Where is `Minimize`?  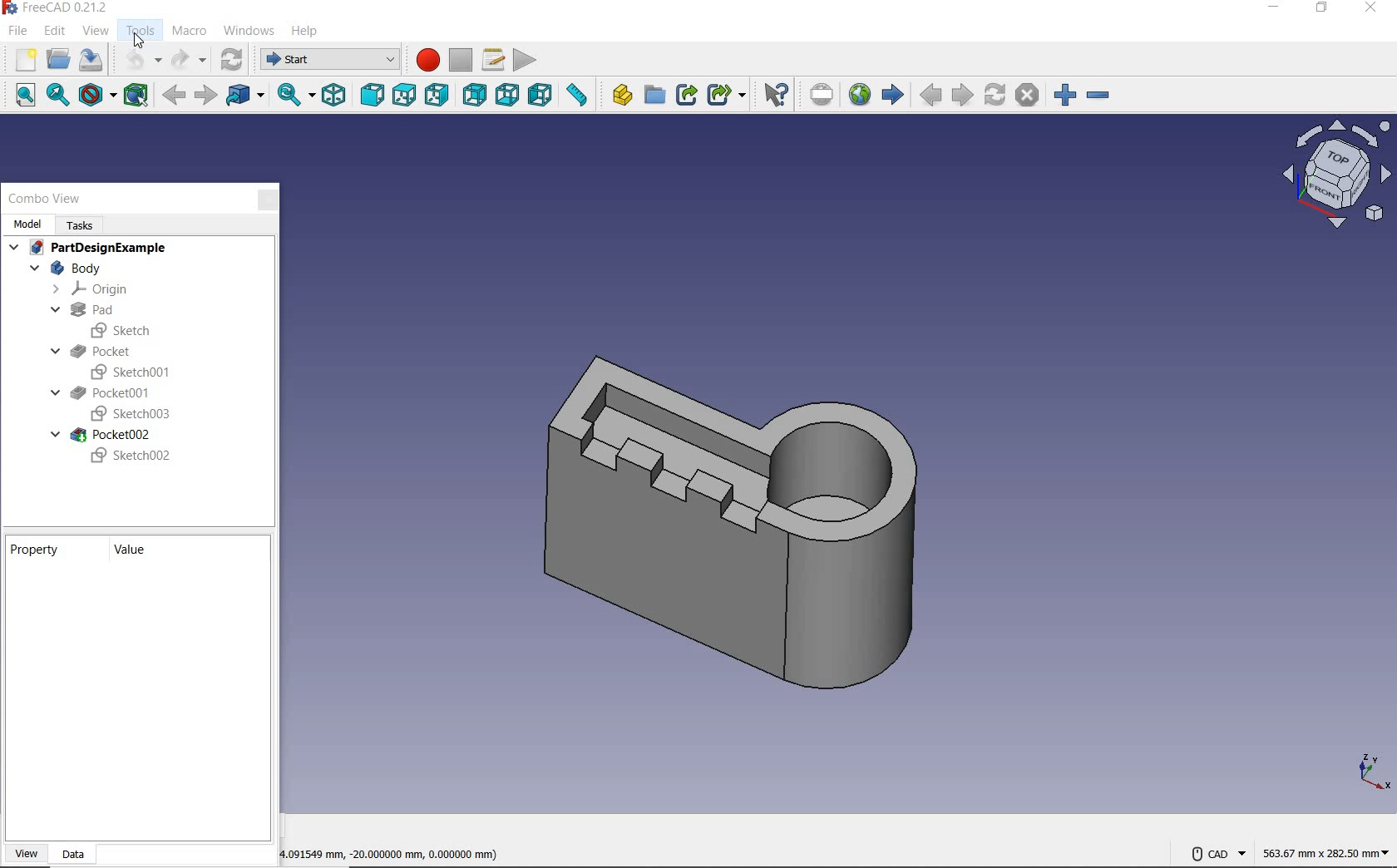
Minimize is located at coordinates (1272, 9).